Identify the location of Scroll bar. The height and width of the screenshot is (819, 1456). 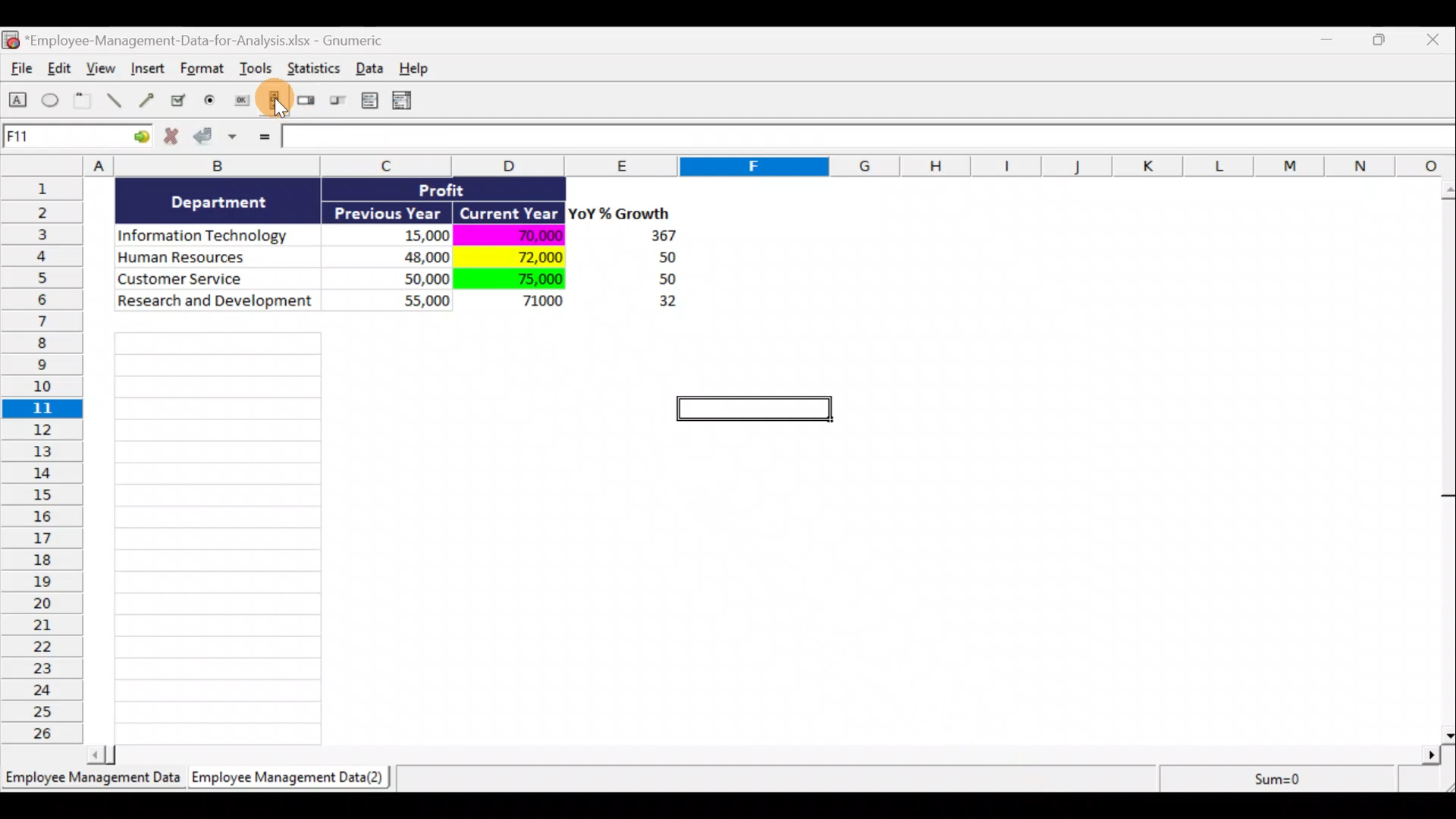
(1446, 458).